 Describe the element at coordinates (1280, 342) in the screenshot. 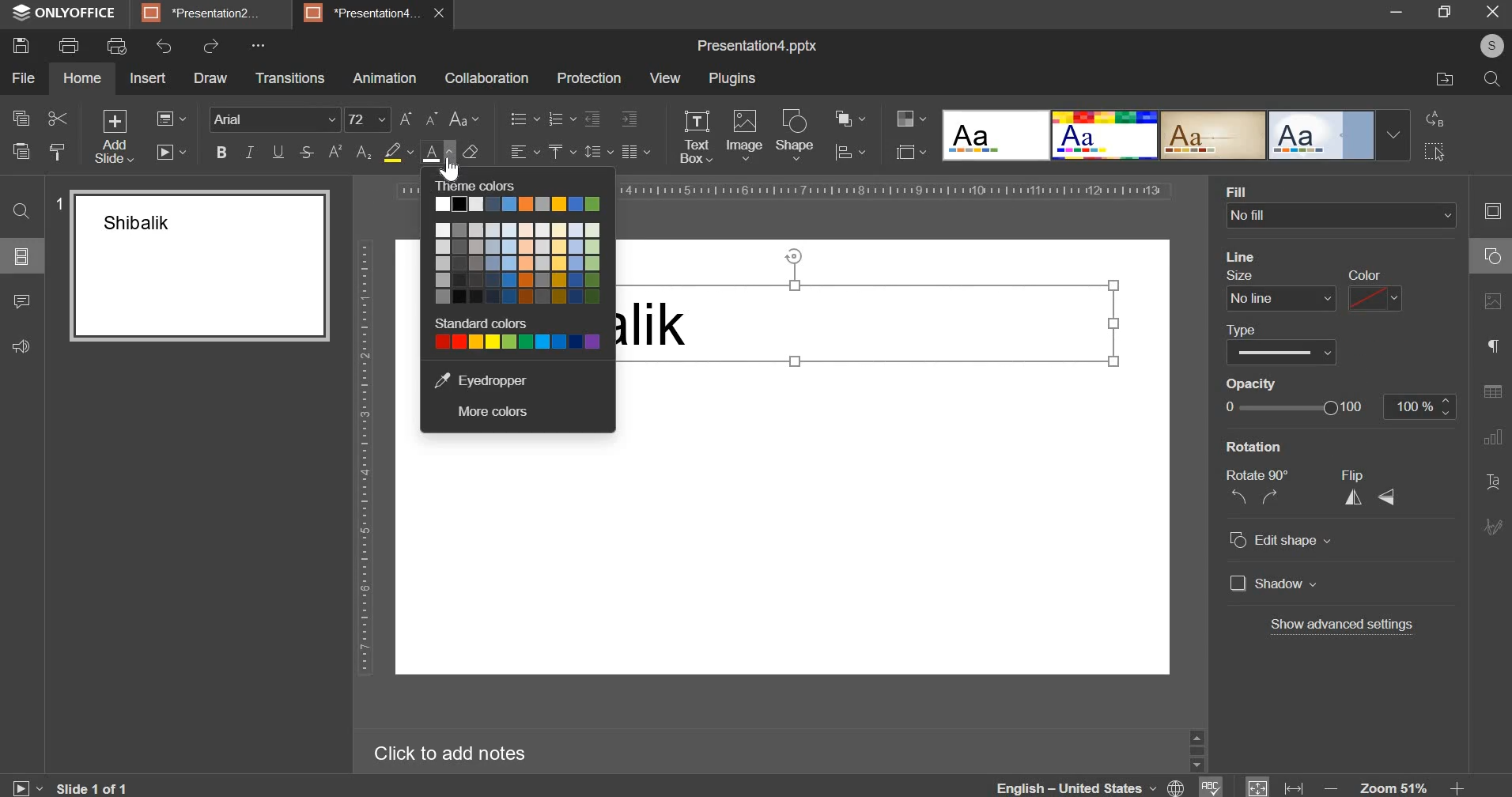

I see `type` at that location.